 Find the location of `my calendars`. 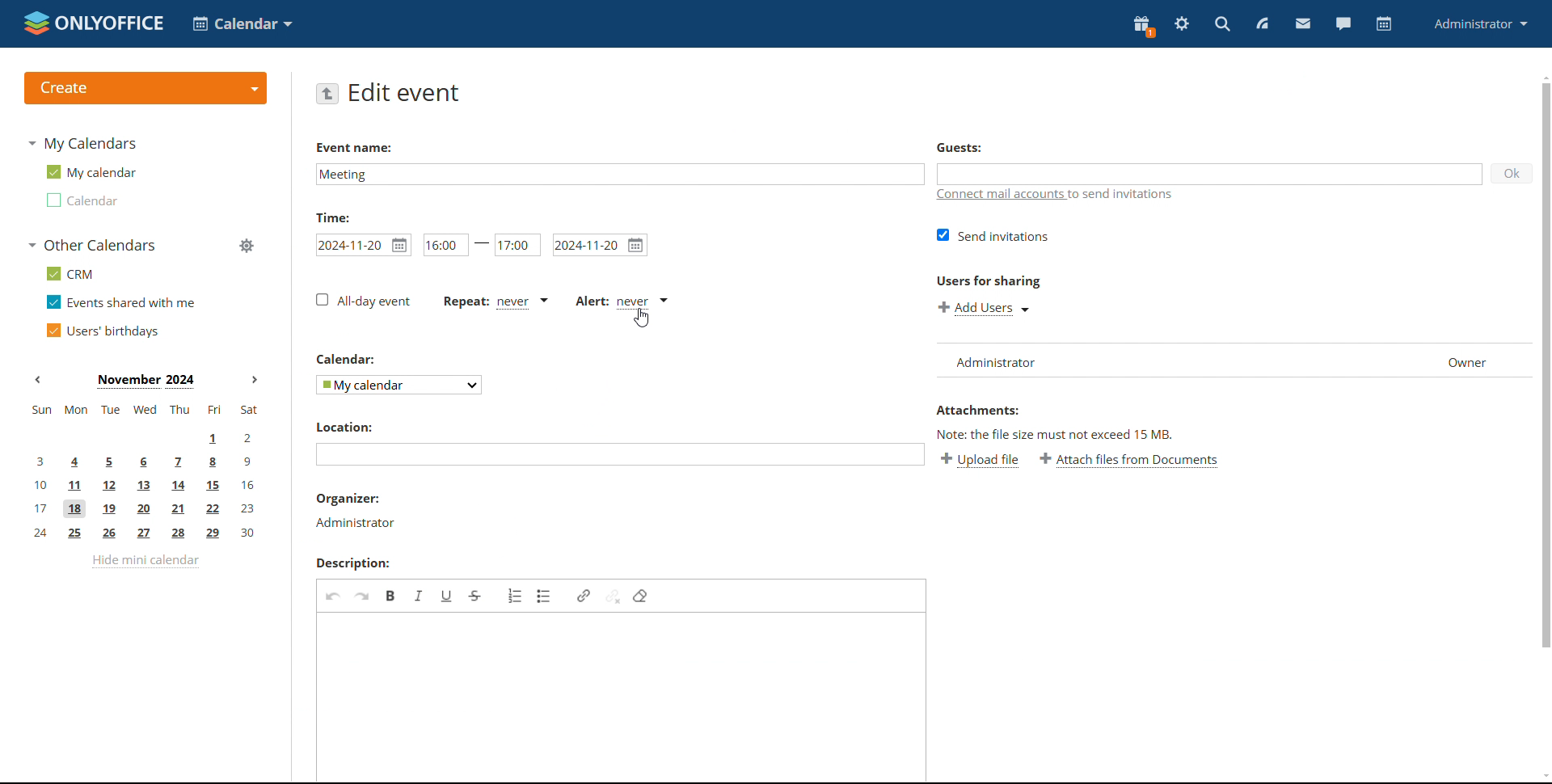

my calendars is located at coordinates (82, 143).